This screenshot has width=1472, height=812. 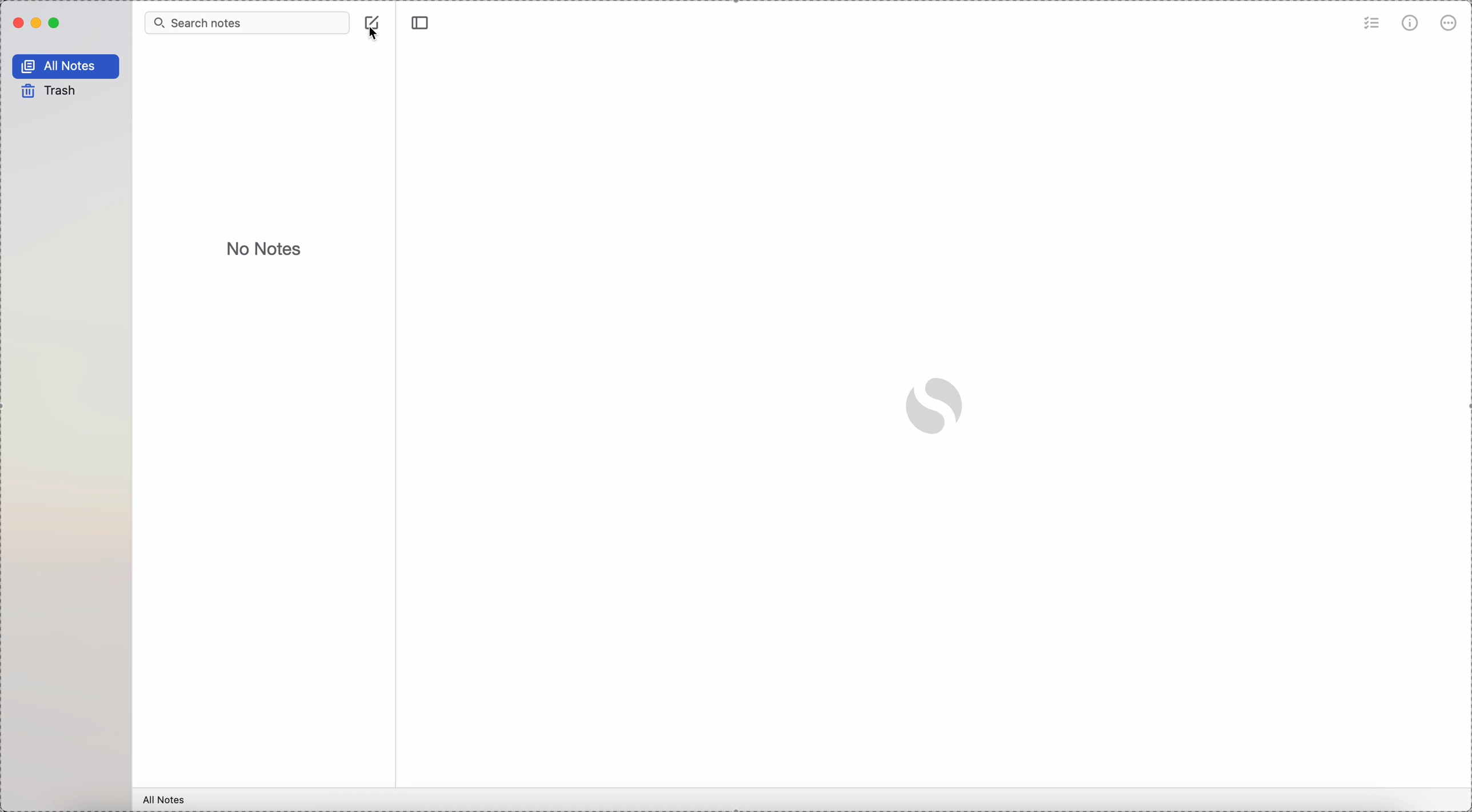 I want to click on maximize Simplenote, so click(x=55, y=23).